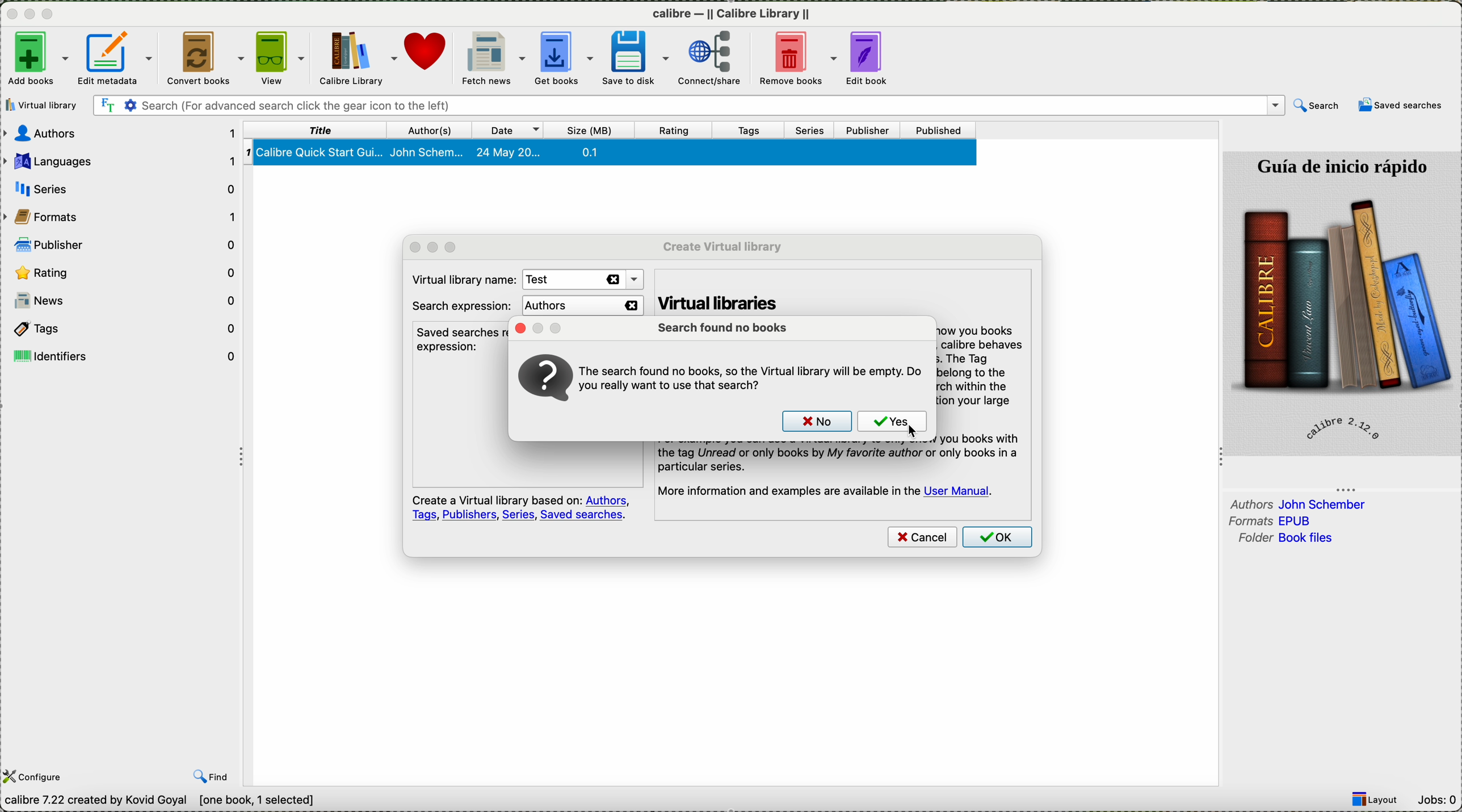 The image size is (1462, 812). I want to click on formats, so click(1275, 521).